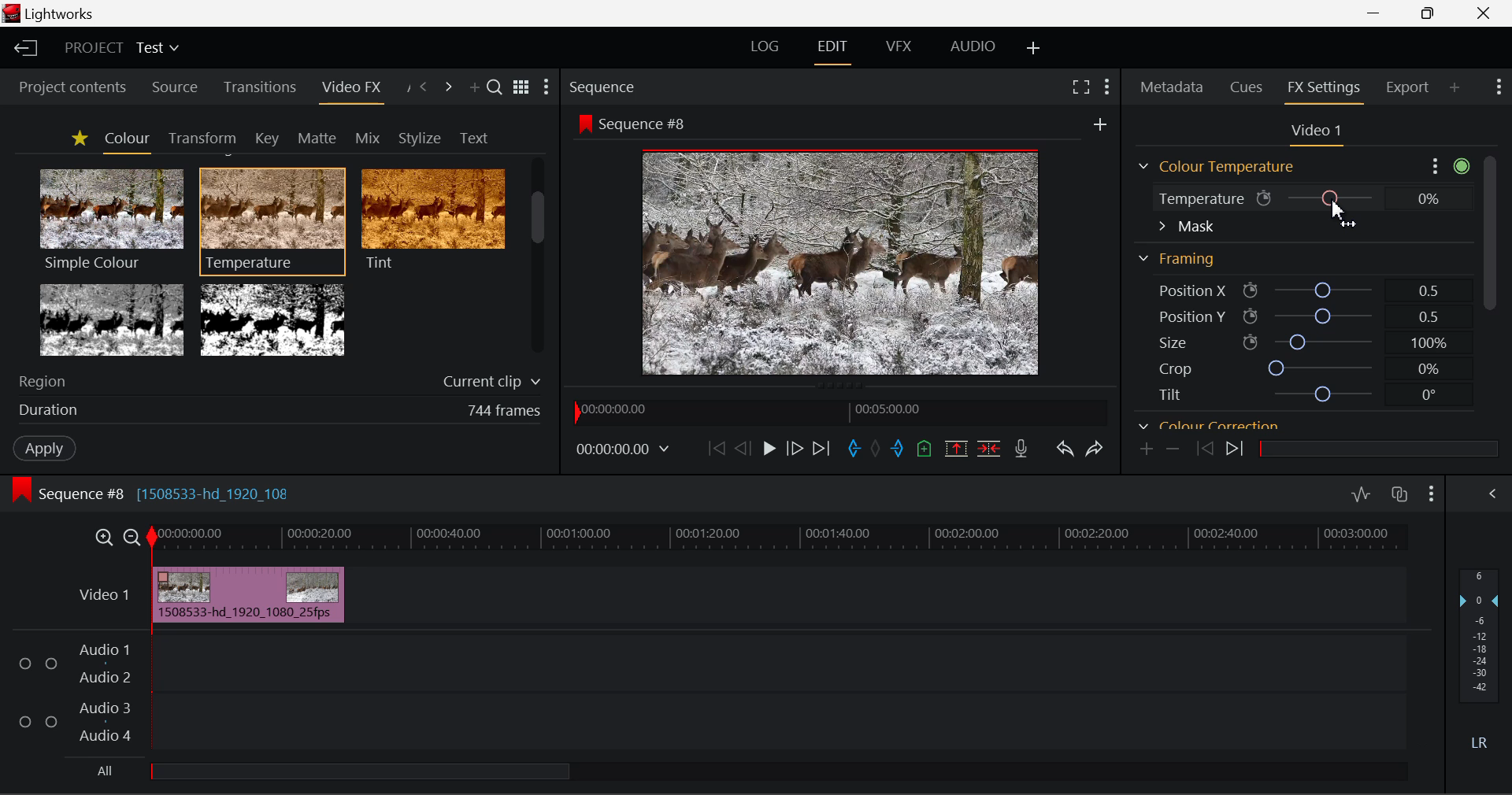 This screenshot has width=1512, height=795. Describe the element at coordinates (767, 46) in the screenshot. I see `LOG Layout` at that location.